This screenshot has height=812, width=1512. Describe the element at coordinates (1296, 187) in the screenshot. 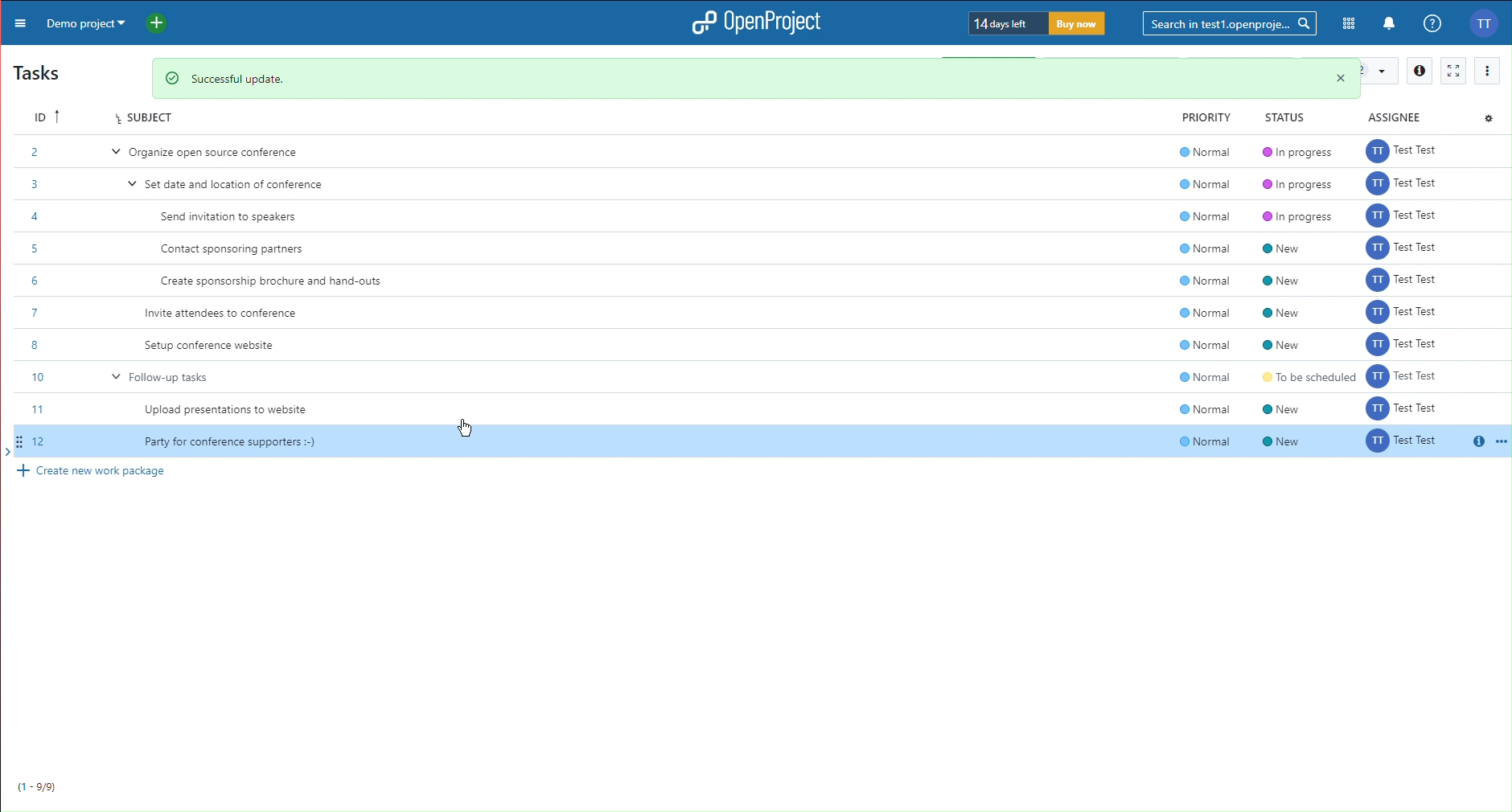

I see `in progress` at that location.